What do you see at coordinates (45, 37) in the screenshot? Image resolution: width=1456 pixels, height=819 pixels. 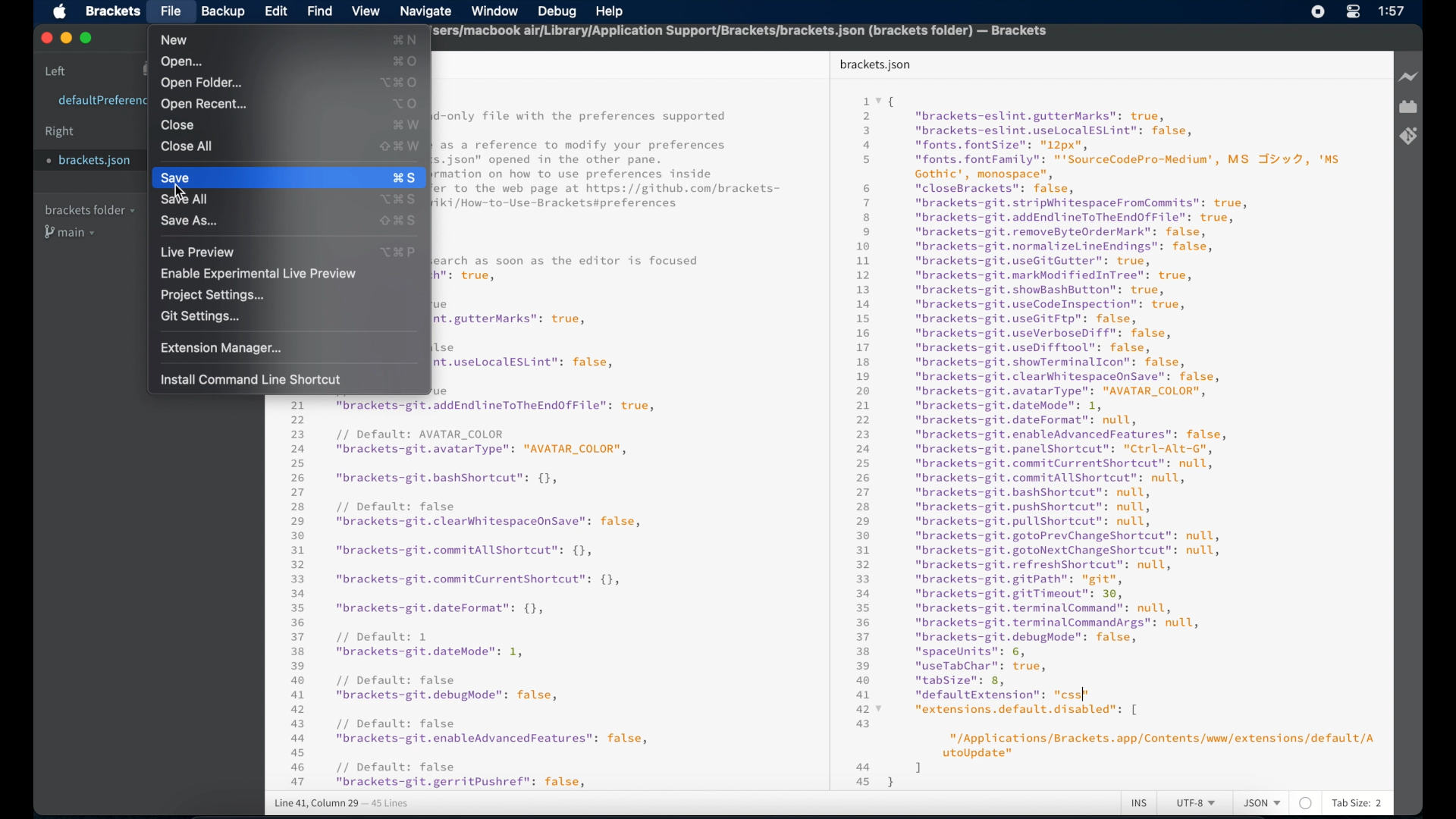 I see `close` at bounding box center [45, 37].